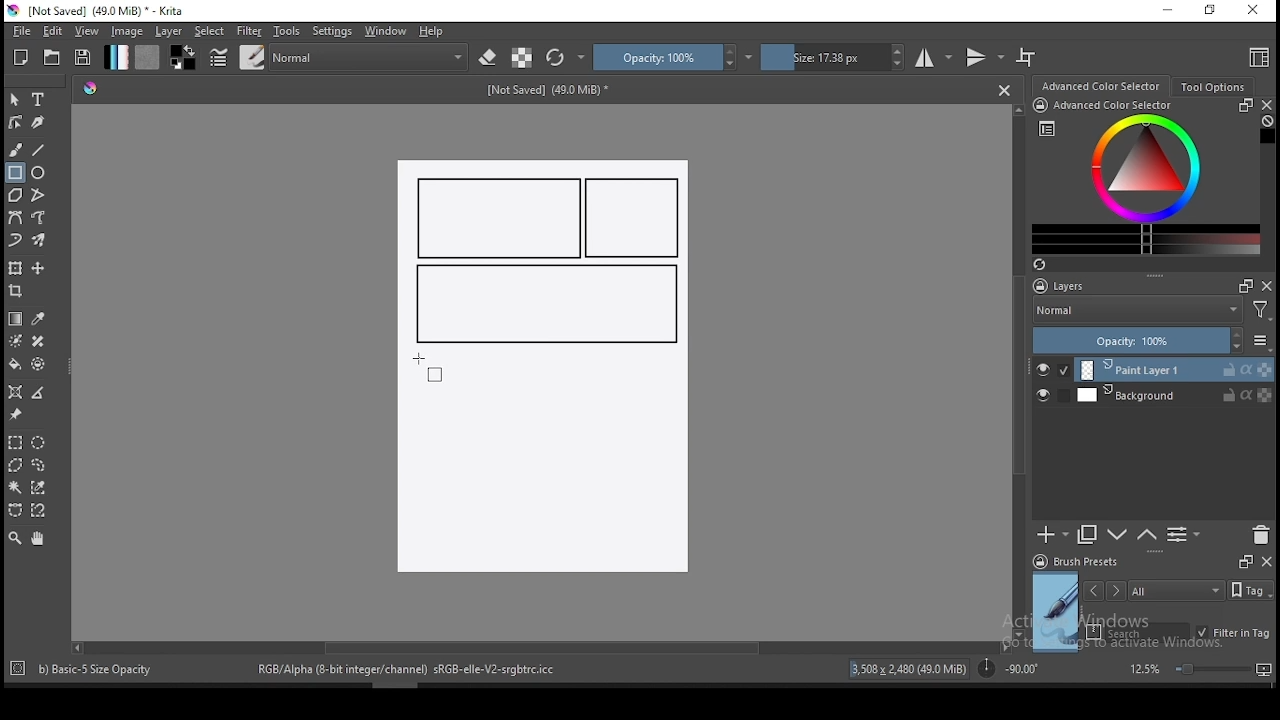 Image resolution: width=1280 pixels, height=720 pixels. Describe the element at coordinates (544, 305) in the screenshot. I see `new rectangle` at that location.